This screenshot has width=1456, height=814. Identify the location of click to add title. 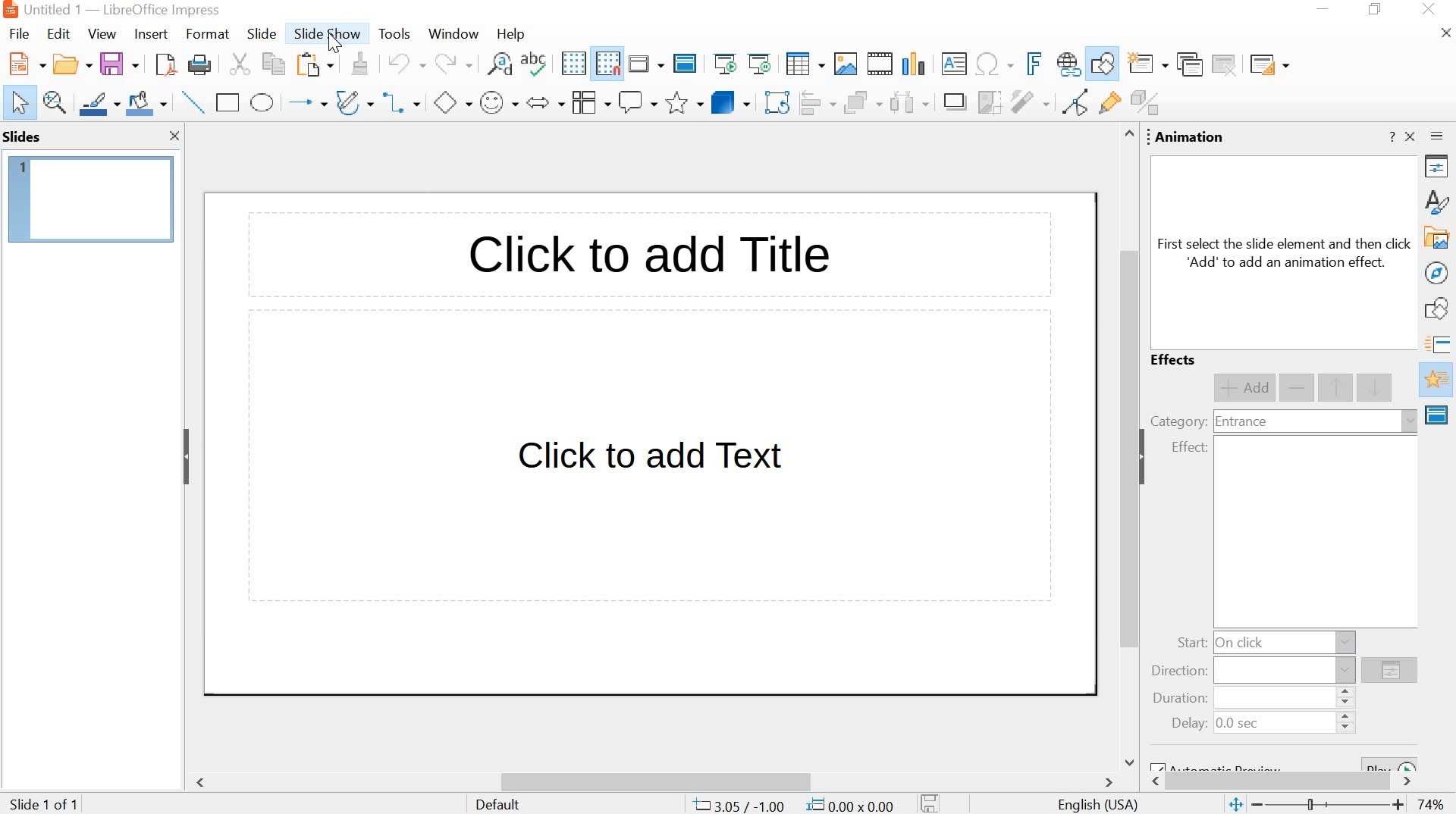
(645, 258).